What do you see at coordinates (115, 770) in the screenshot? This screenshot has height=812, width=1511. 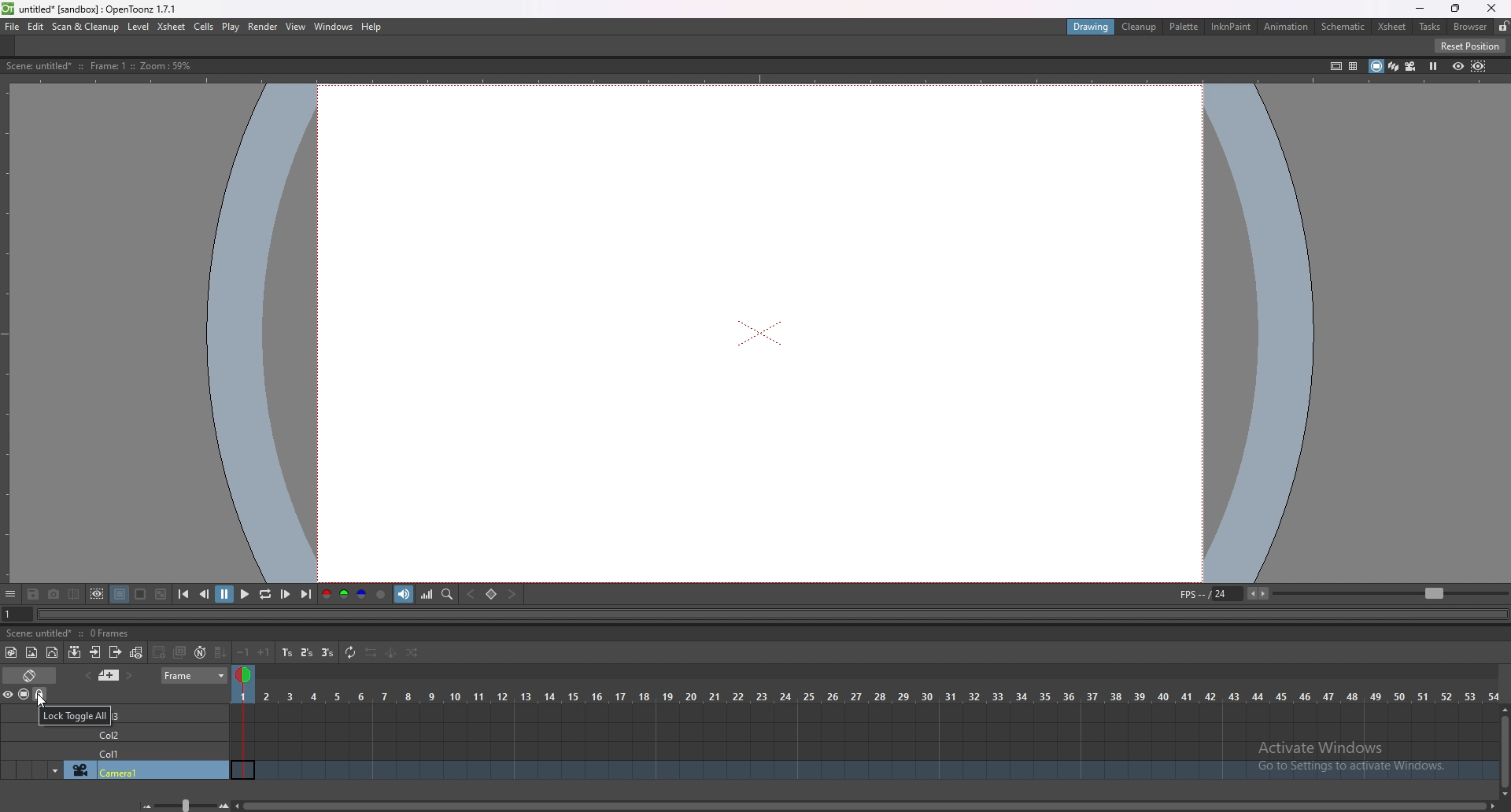 I see `camera` at bounding box center [115, 770].